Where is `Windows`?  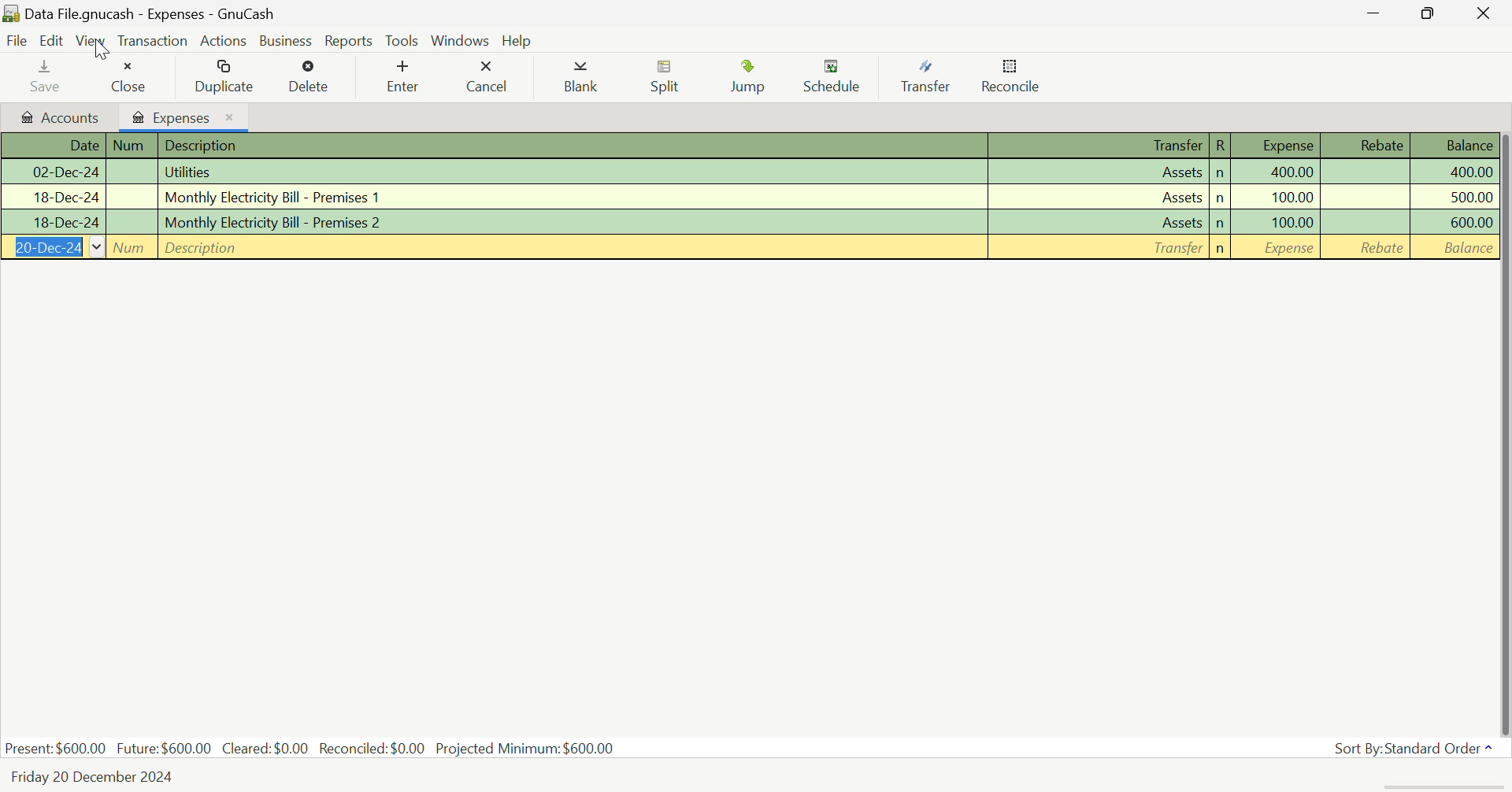
Windows is located at coordinates (461, 39).